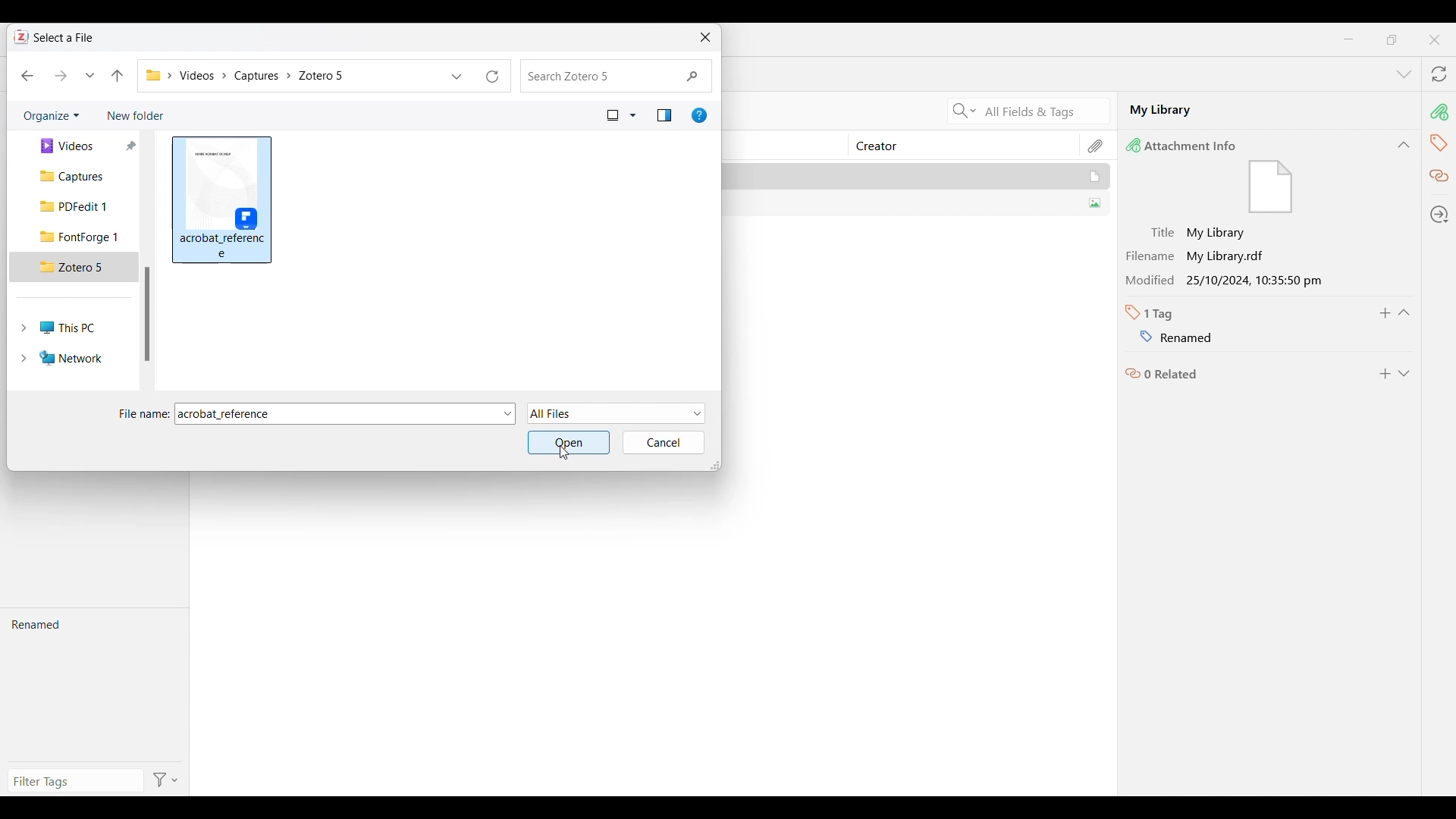 This screenshot has height=819, width=1456. I want to click on FontForge 1 folder, so click(80, 237).